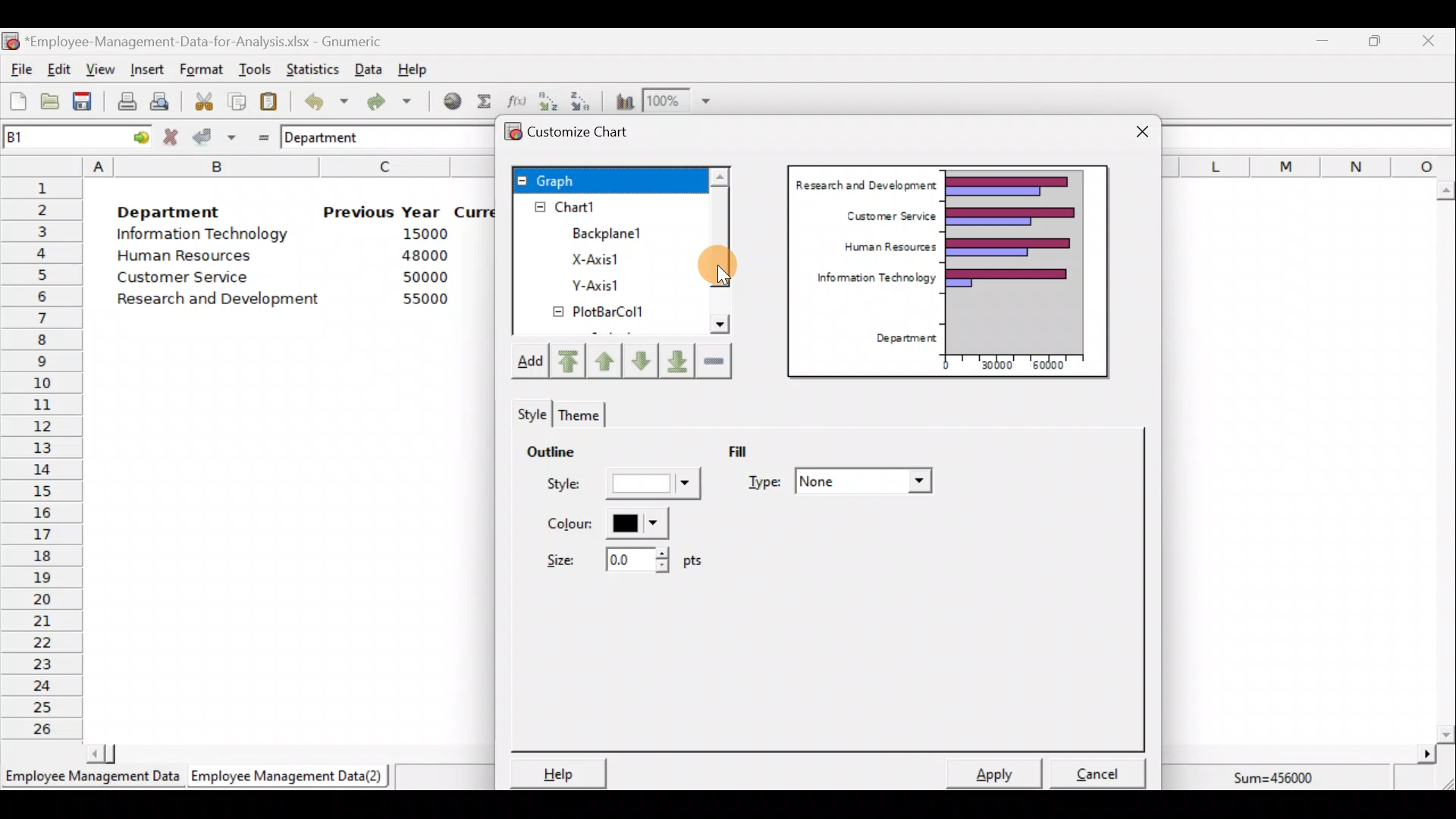 The image size is (1456, 819). I want to click on Customize chart, so click(588, 134).